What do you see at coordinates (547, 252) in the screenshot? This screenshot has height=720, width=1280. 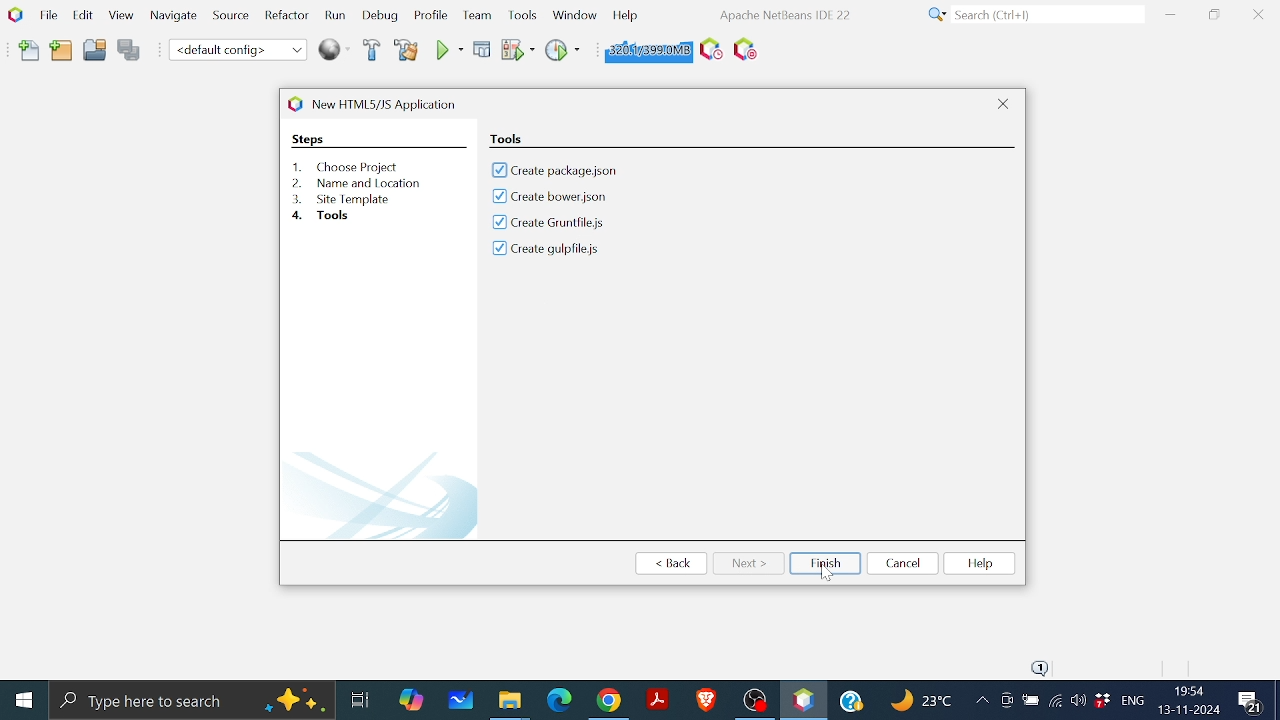 I see `Create gulpile.js` at bounding box center [547, 252].